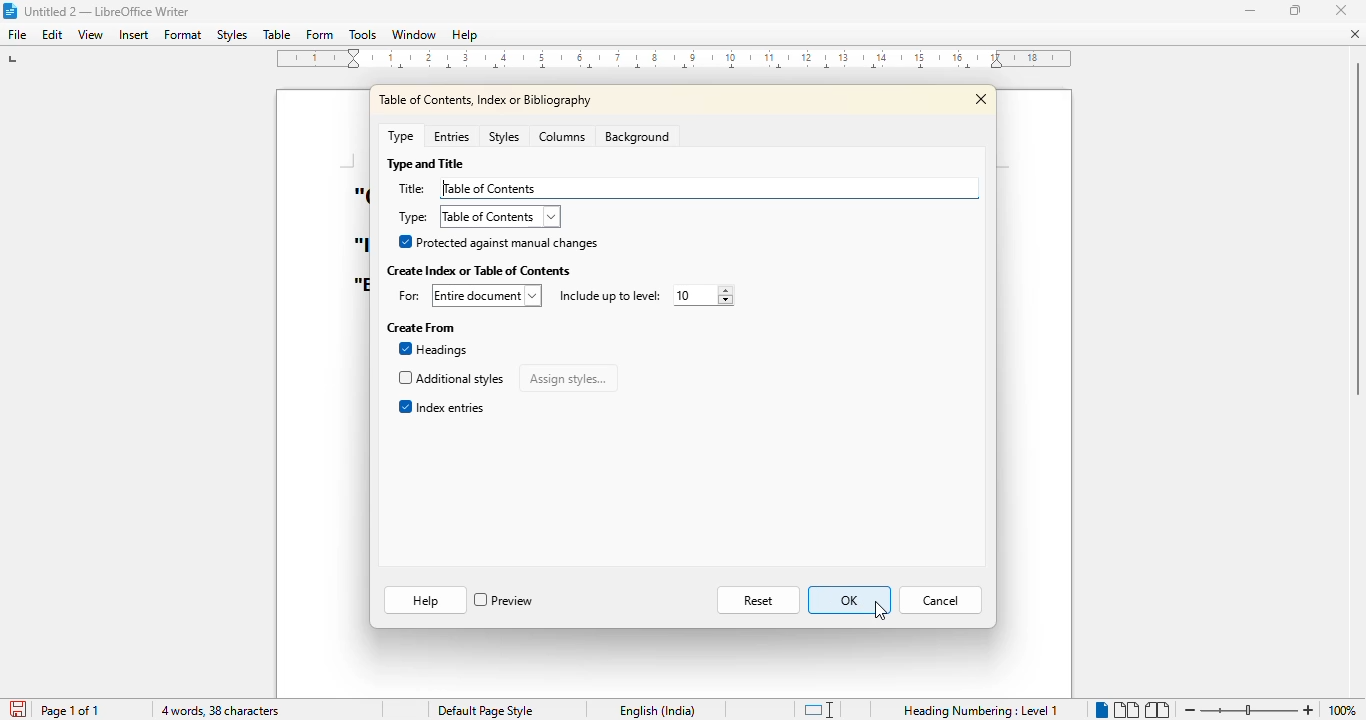  I want to click on columns, so click(563, 137).